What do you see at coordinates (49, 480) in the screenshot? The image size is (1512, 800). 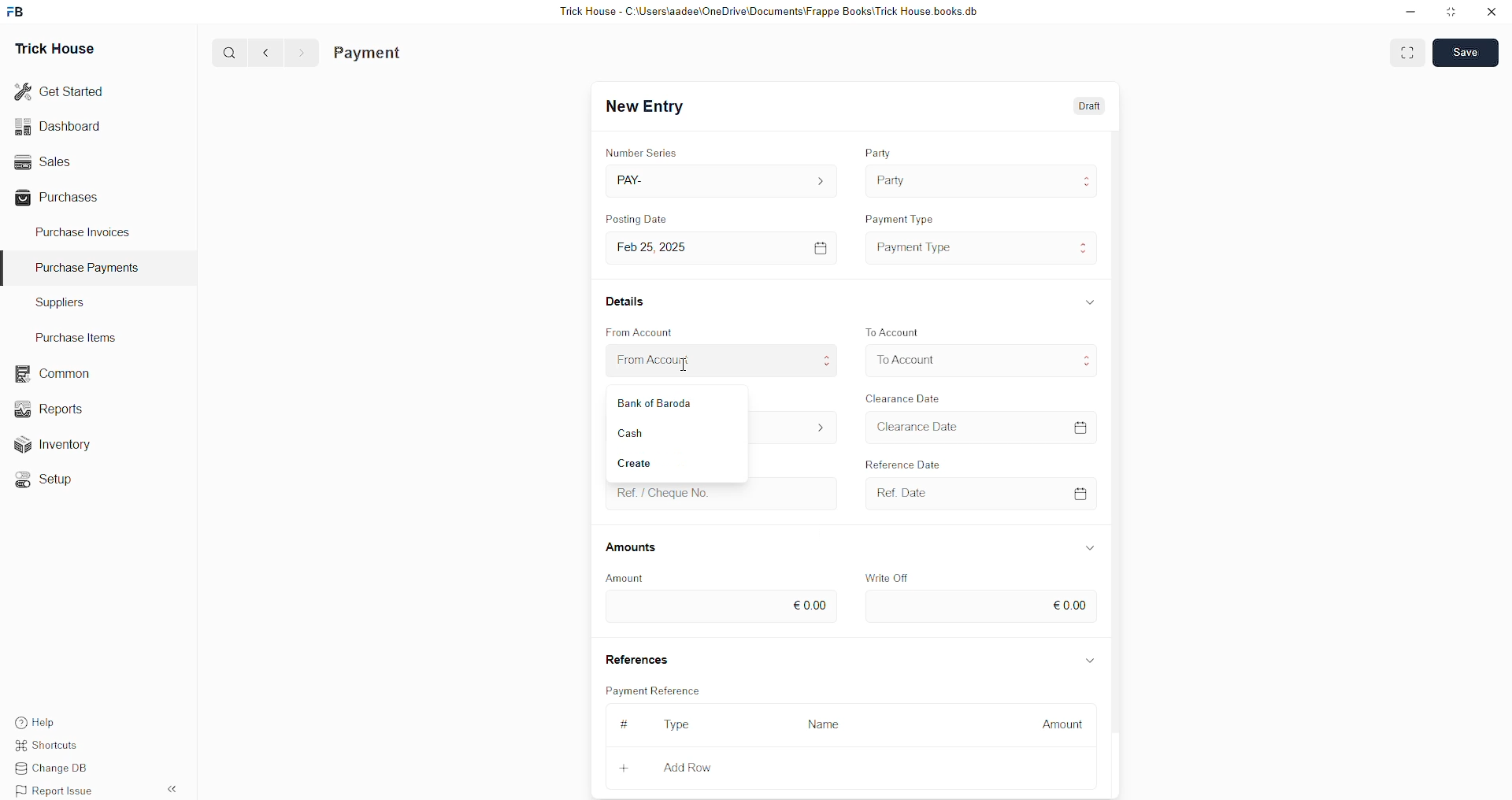 I see `«© Setup` at bounding box center [49, 480].